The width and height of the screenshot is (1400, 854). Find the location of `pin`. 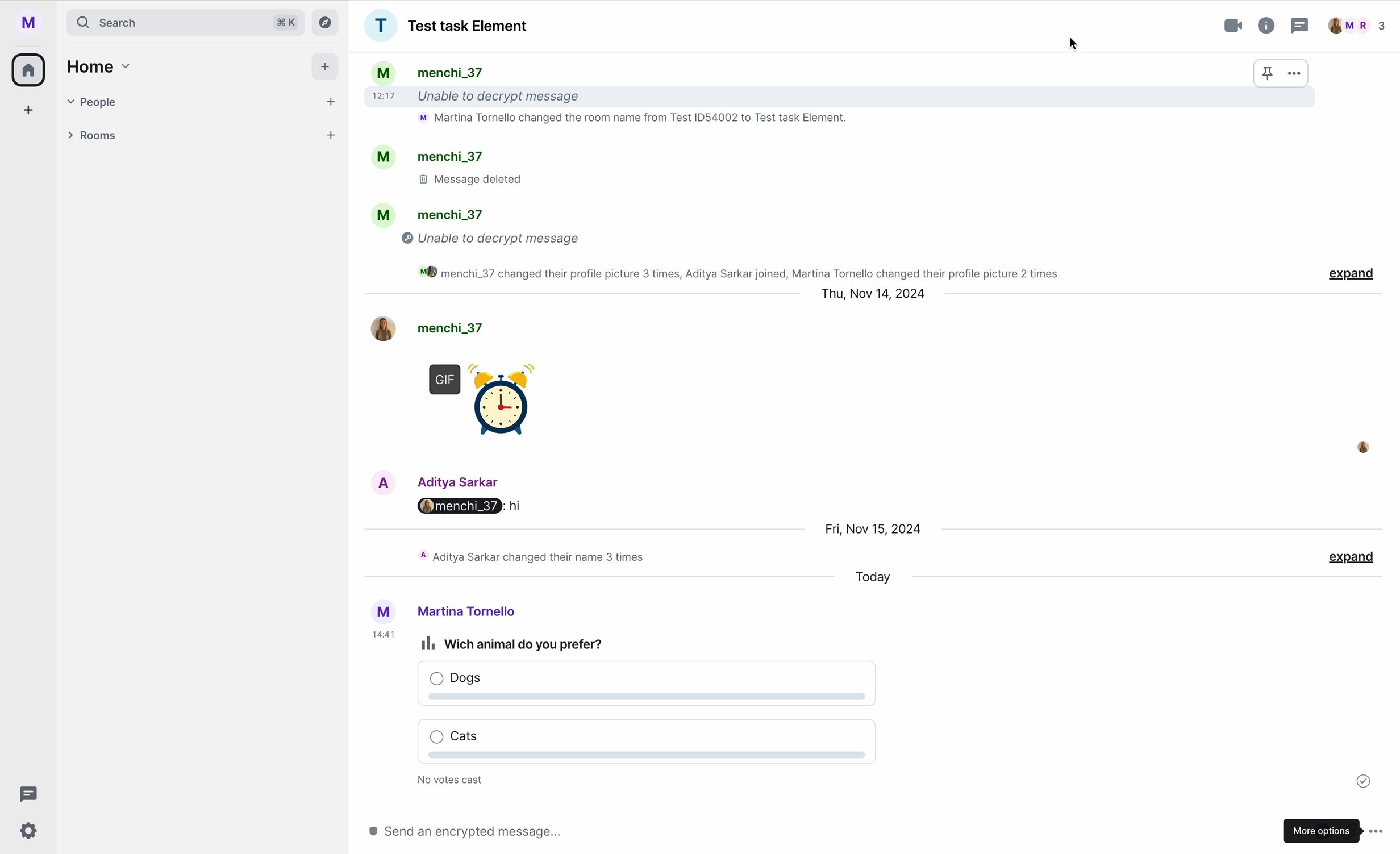

pin is located at coordinates (1268, 74).